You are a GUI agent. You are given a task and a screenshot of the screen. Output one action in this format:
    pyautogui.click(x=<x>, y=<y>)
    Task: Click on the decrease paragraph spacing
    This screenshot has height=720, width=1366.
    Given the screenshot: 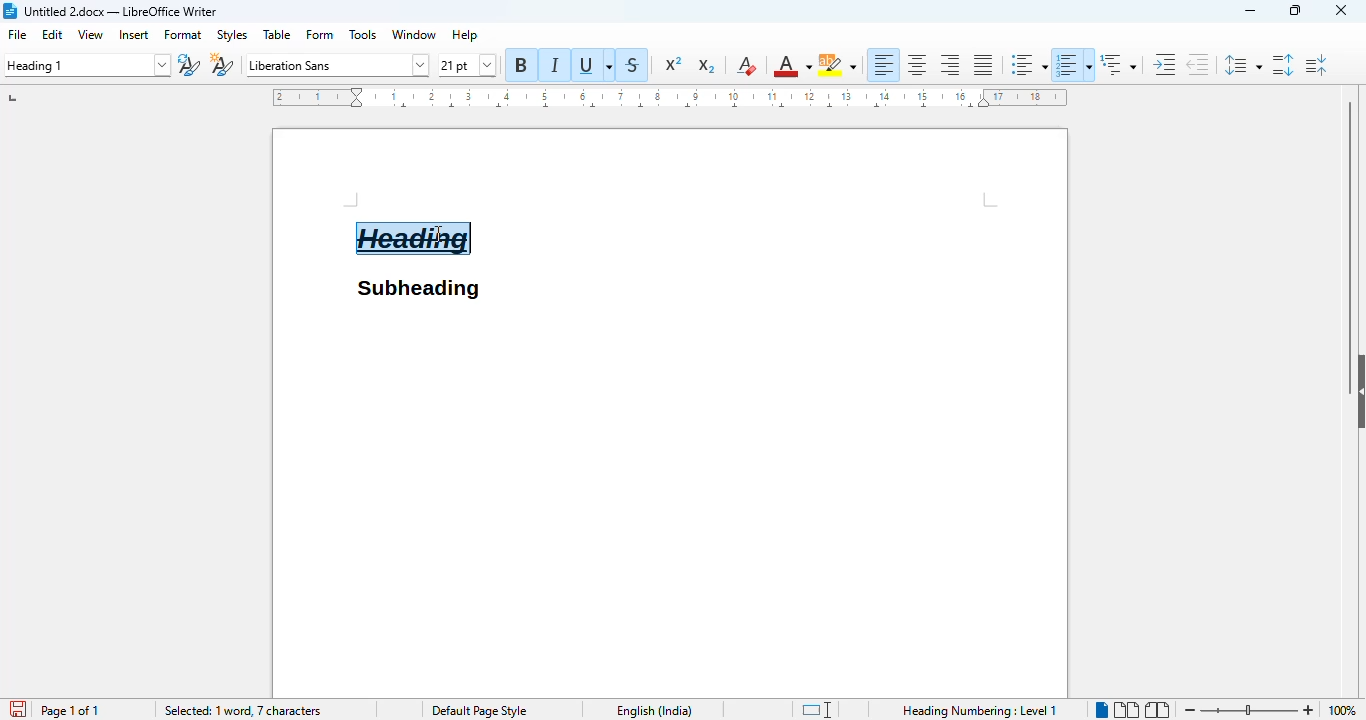 What is the action you would take?
    pyautogui.click(x=1316, y=65)
    